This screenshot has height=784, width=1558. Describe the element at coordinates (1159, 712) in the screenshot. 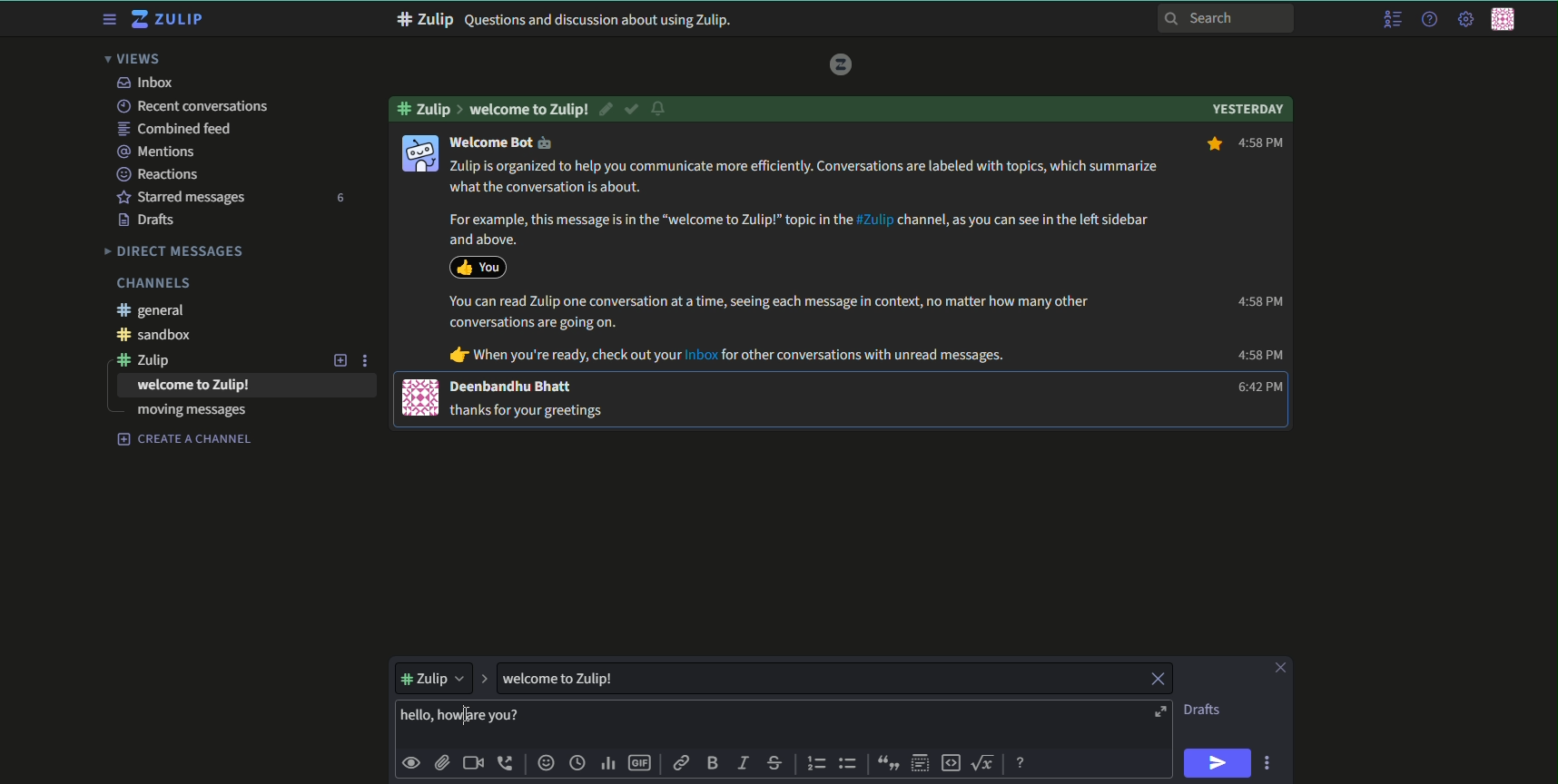

I see `open` at that location.